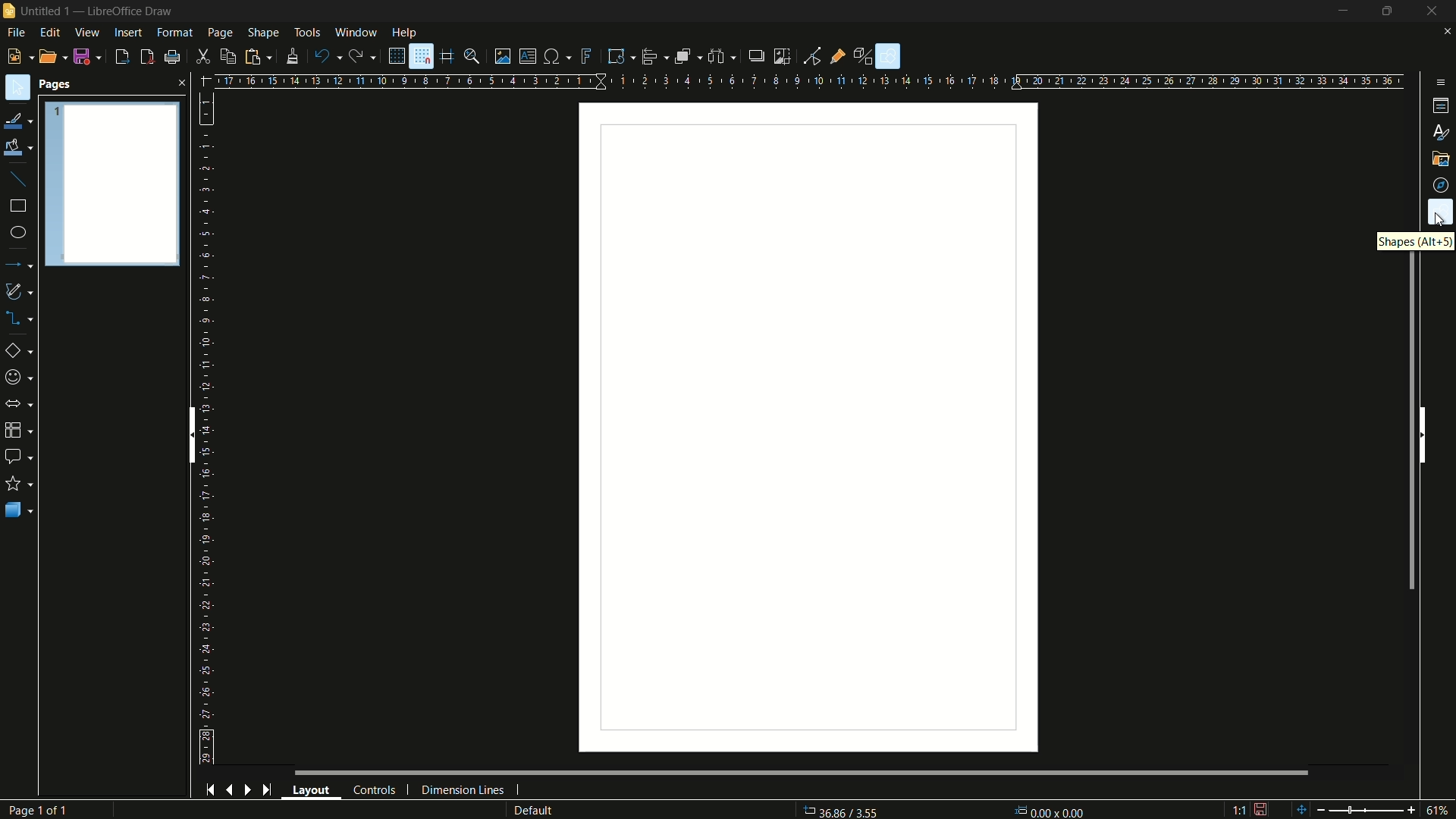  Describe the element at coordinates (17, 456) in the screenshot. I see `callout shapes` at that location.